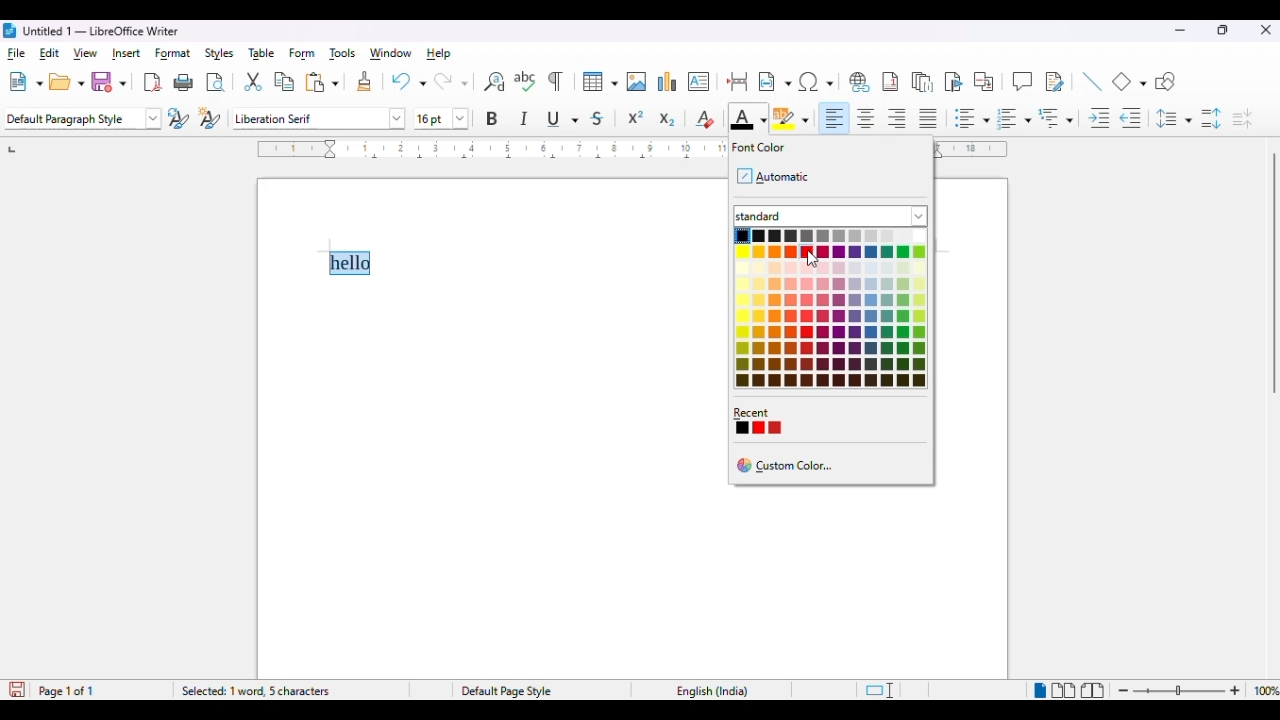 The image size is (1280, 720). Describe the element at coordinates (495, 82) in the screenshot. I see `find and replace` at that location.